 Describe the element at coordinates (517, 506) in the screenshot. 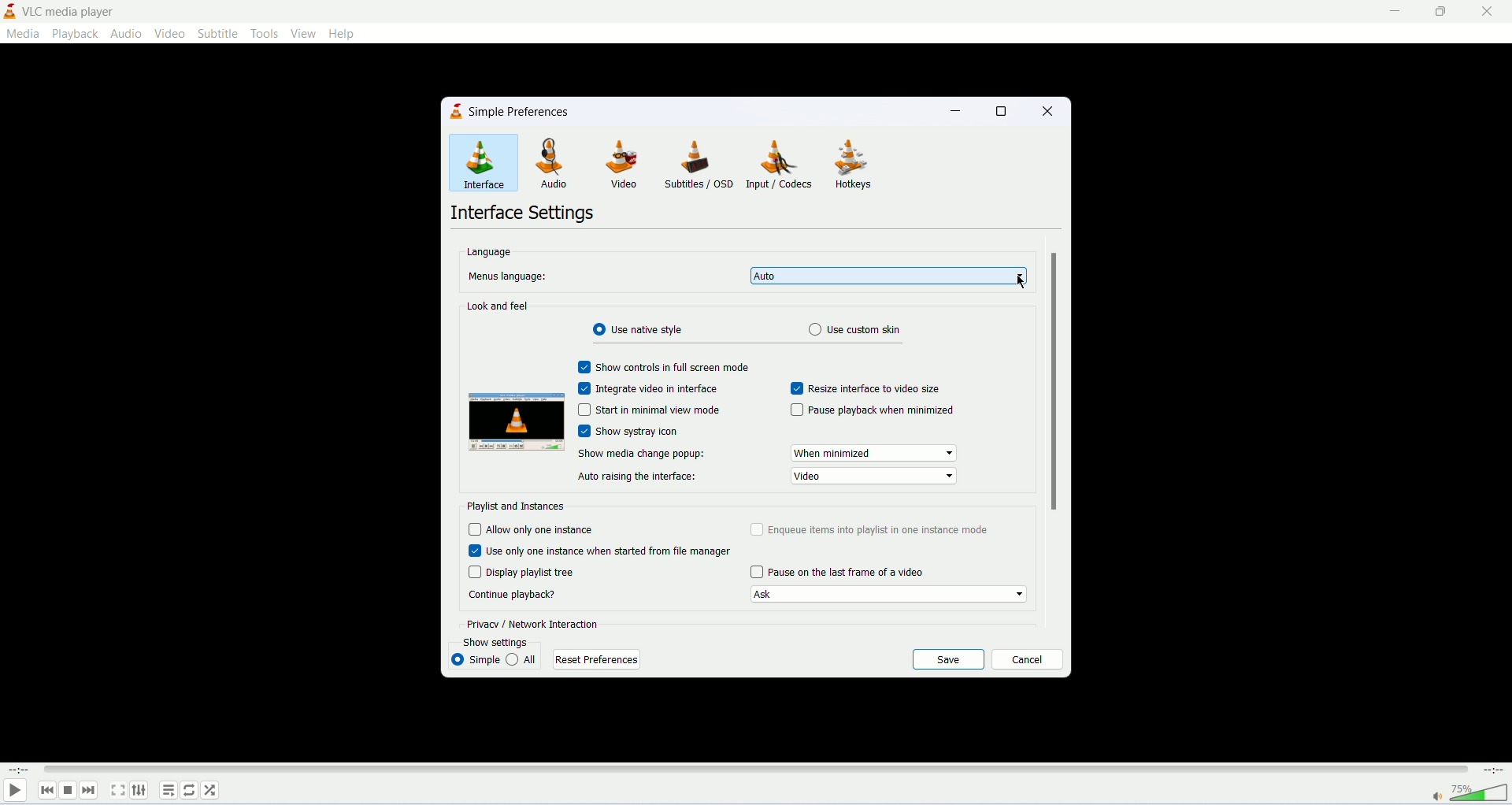

I see `playlist and instances` at that location.